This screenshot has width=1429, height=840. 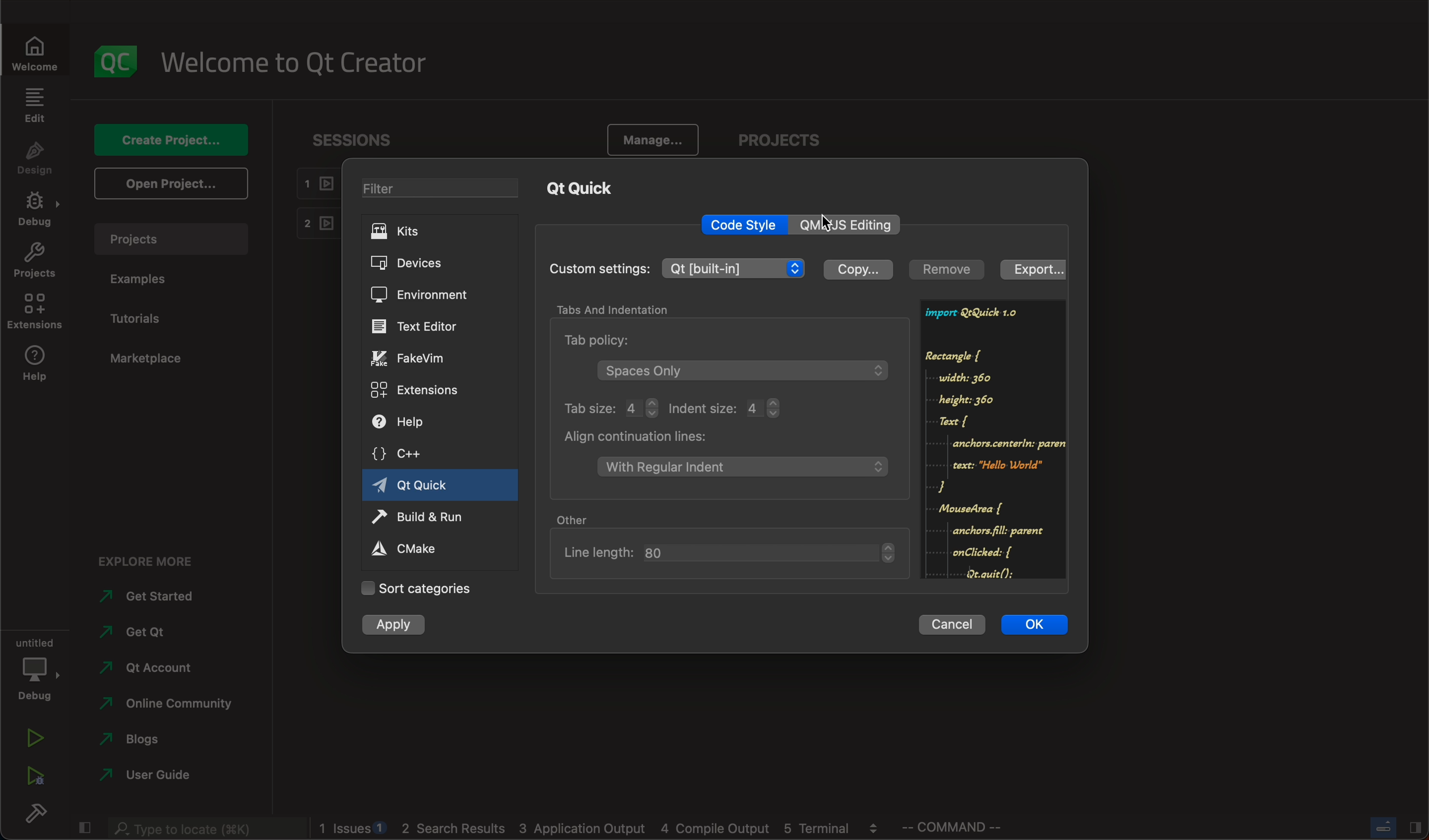 What do you see at coordinates (1028, 266) in the screenshot?
I see `export` at bounding box center [1028, 266].